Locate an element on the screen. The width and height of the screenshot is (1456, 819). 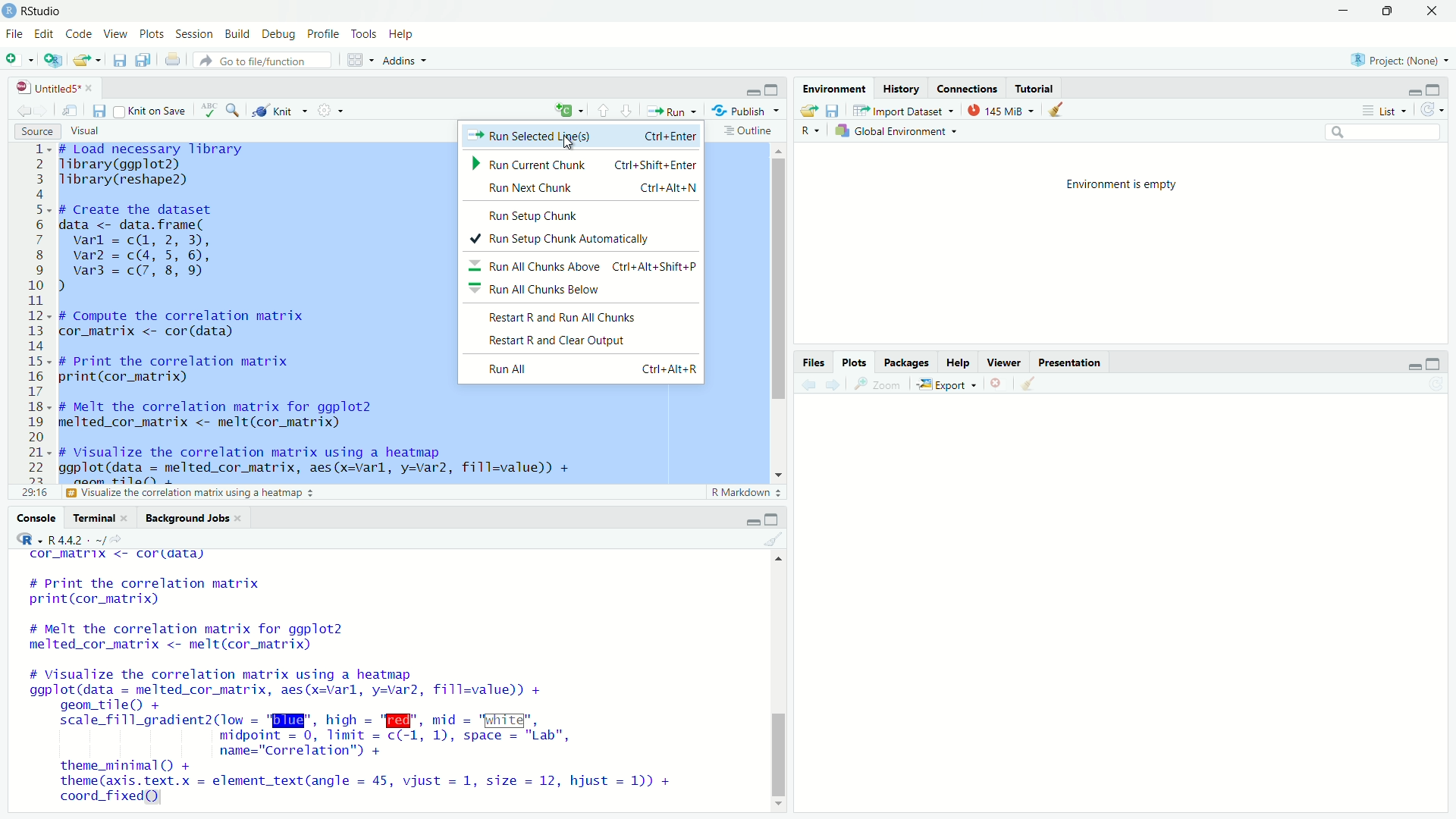
run setup chunk is located at coordinates (581, 214).